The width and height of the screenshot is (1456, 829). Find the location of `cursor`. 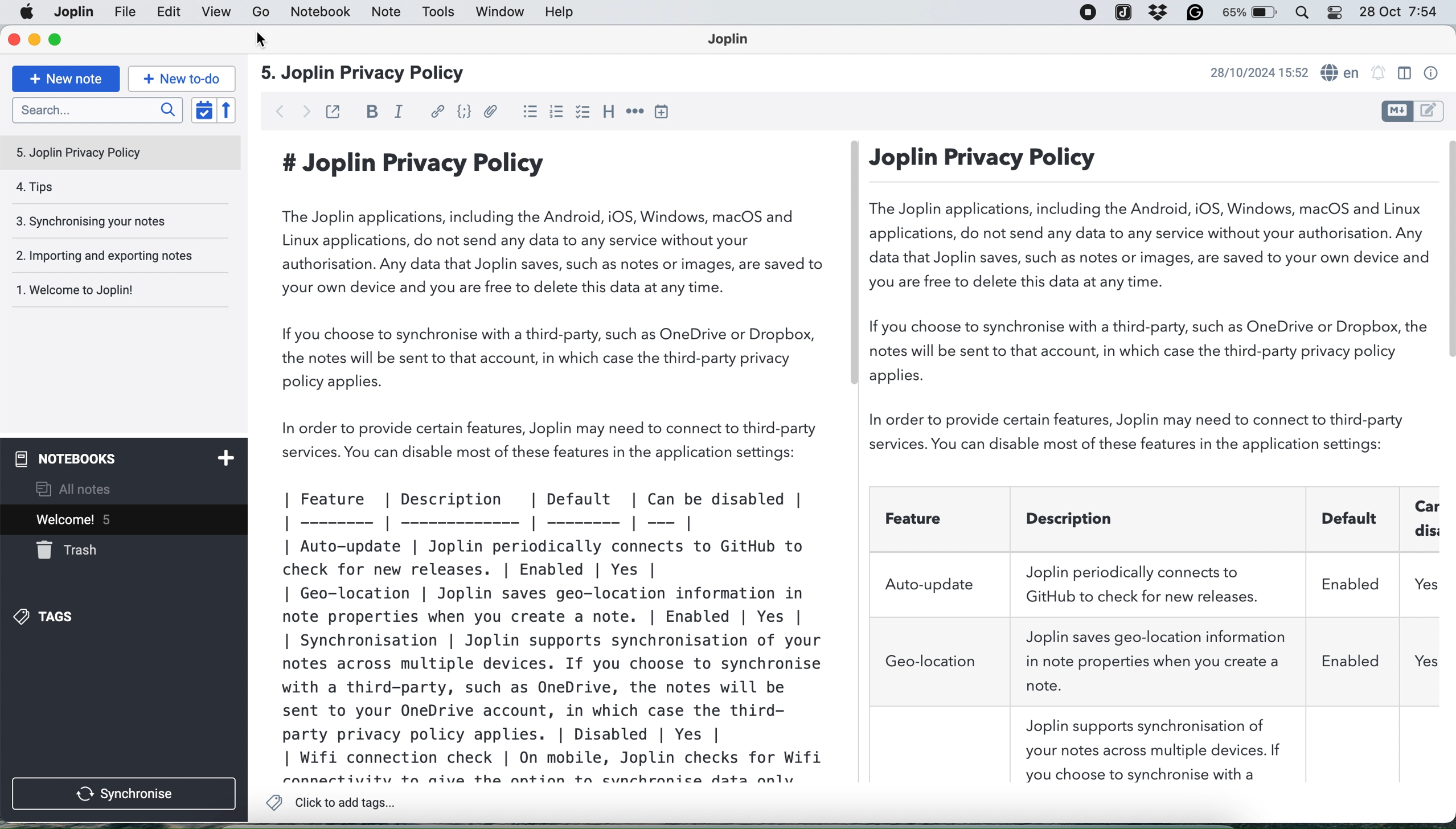

cursor is located at coordinates (258, 40).